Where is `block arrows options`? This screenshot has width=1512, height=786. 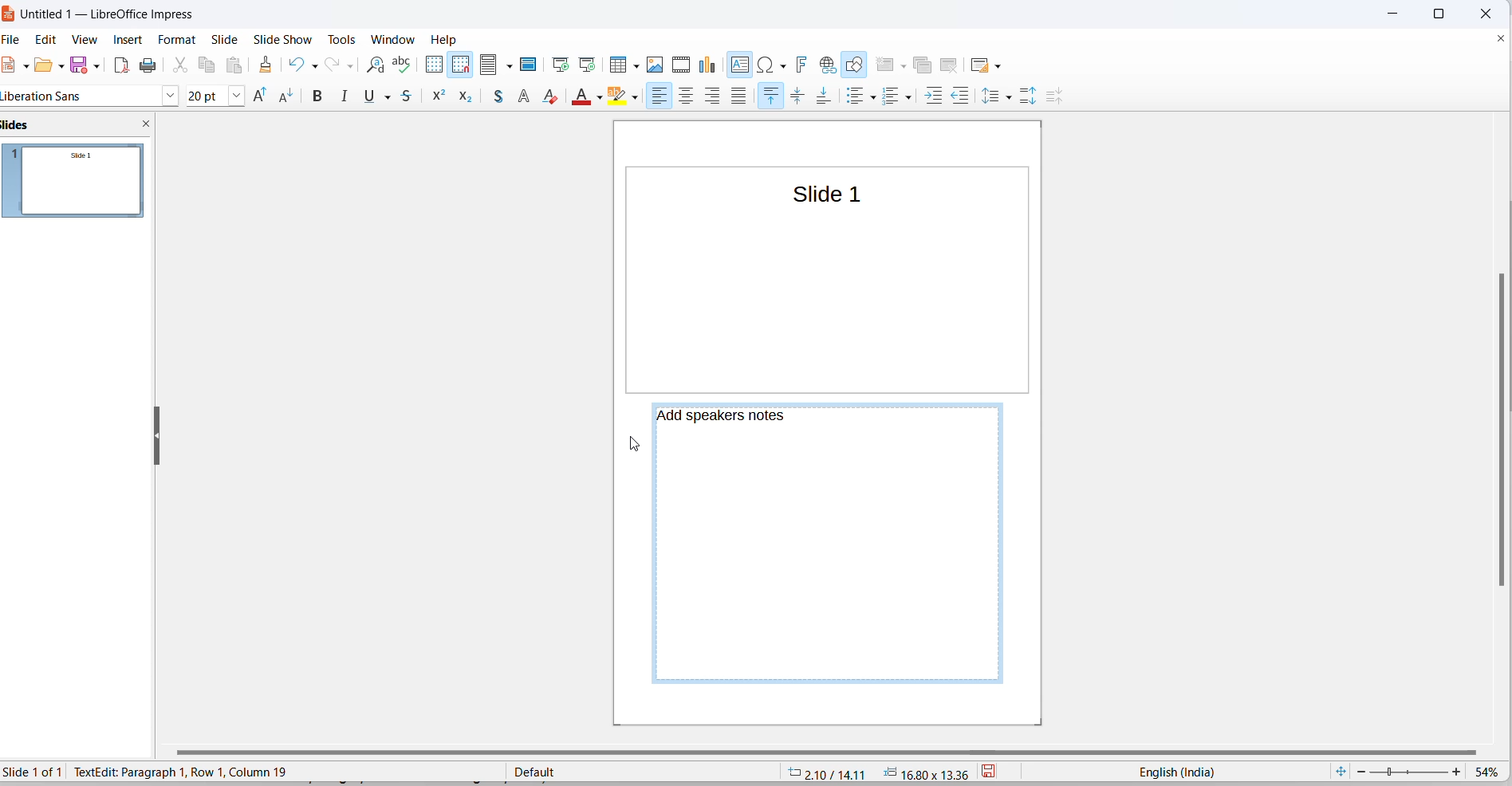 block arrows options is located at coordinates (428, 96).